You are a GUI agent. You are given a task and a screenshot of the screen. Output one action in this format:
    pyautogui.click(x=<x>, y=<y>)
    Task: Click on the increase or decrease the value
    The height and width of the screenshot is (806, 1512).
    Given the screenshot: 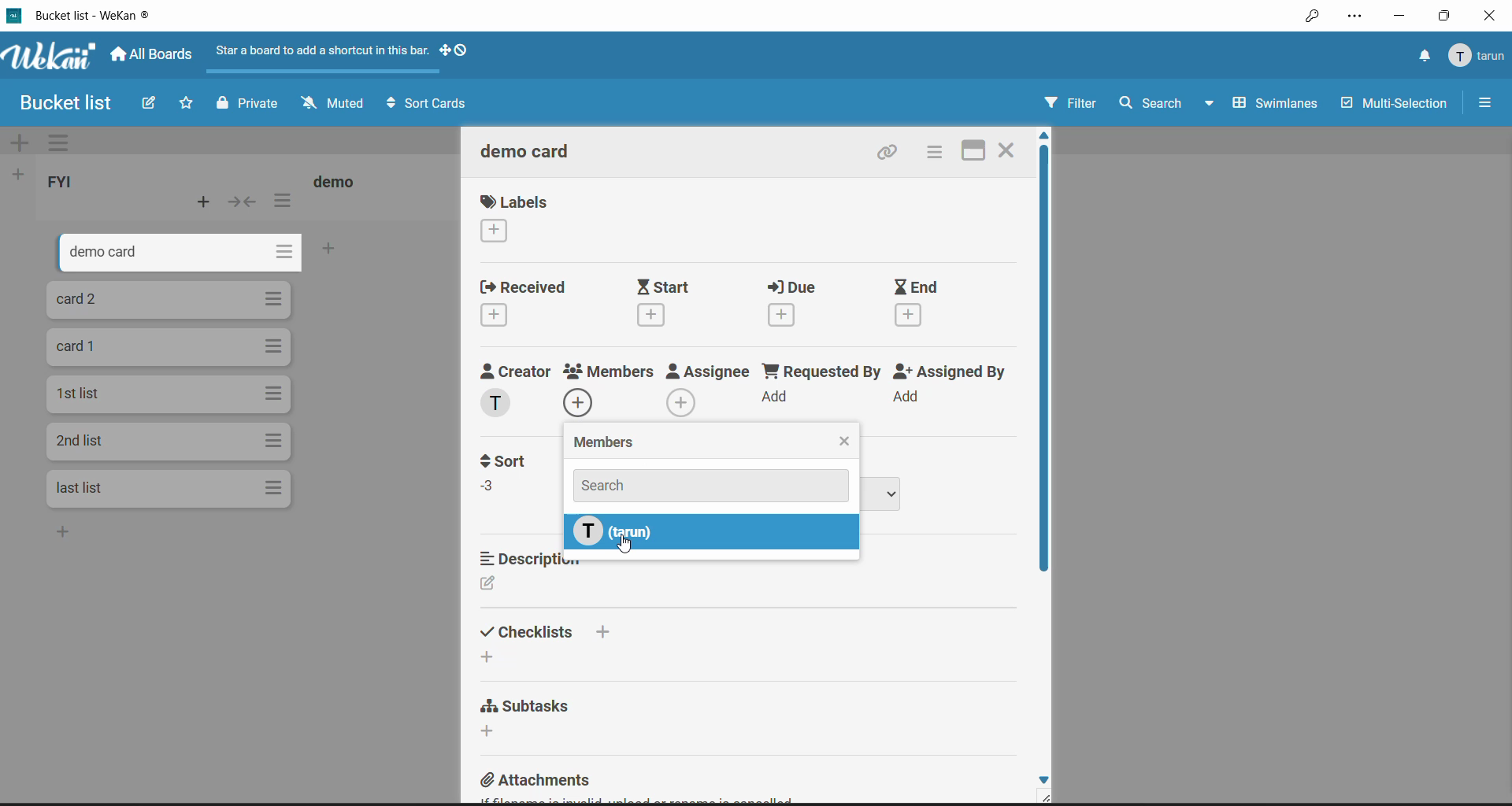 What is the action you would take?
    pyautogui.click(x=491, y=490)
    